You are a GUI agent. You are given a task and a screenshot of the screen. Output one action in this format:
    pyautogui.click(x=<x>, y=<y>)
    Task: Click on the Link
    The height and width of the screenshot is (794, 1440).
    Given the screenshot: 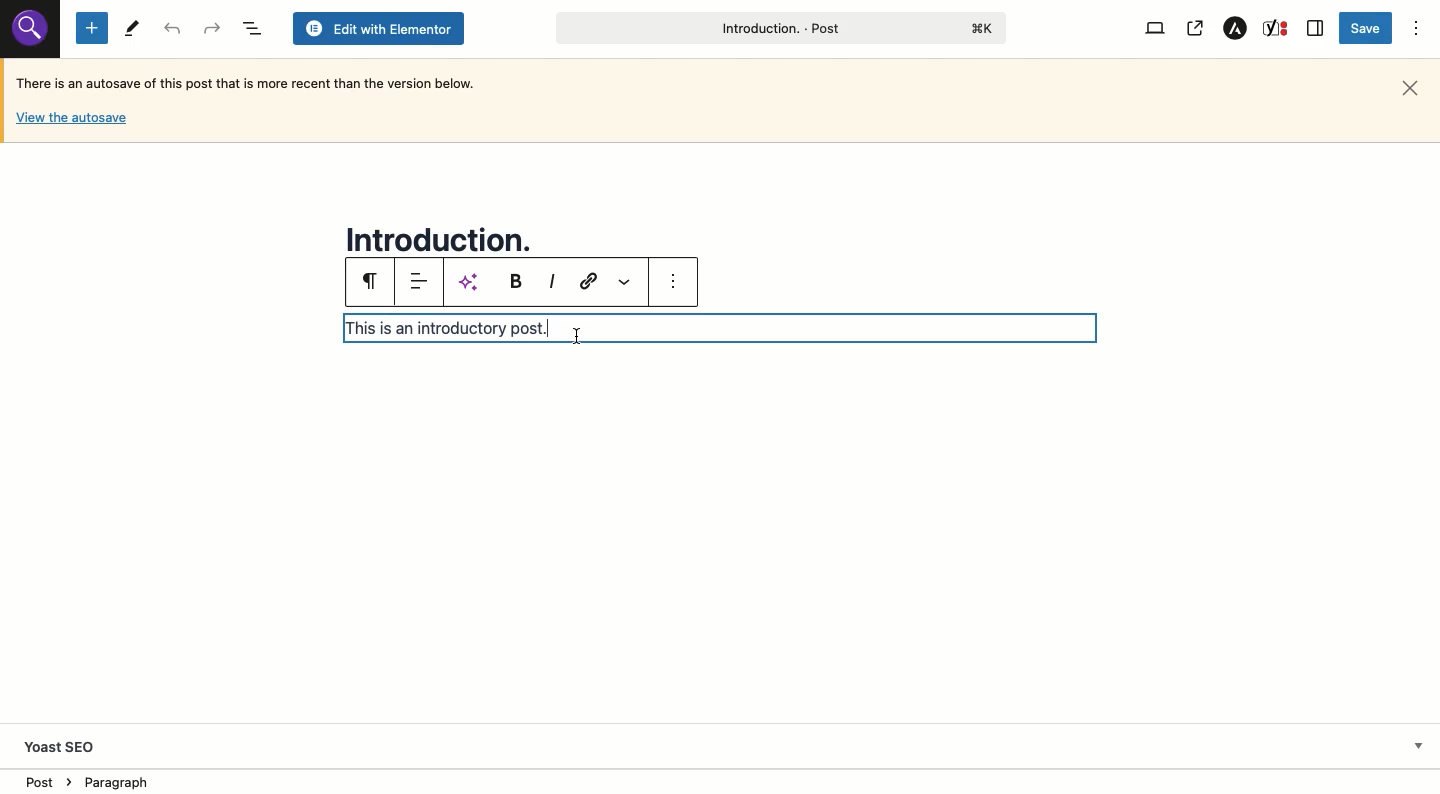 What is the action you would take?
    pyautogui.click(x=585, y=282)
    